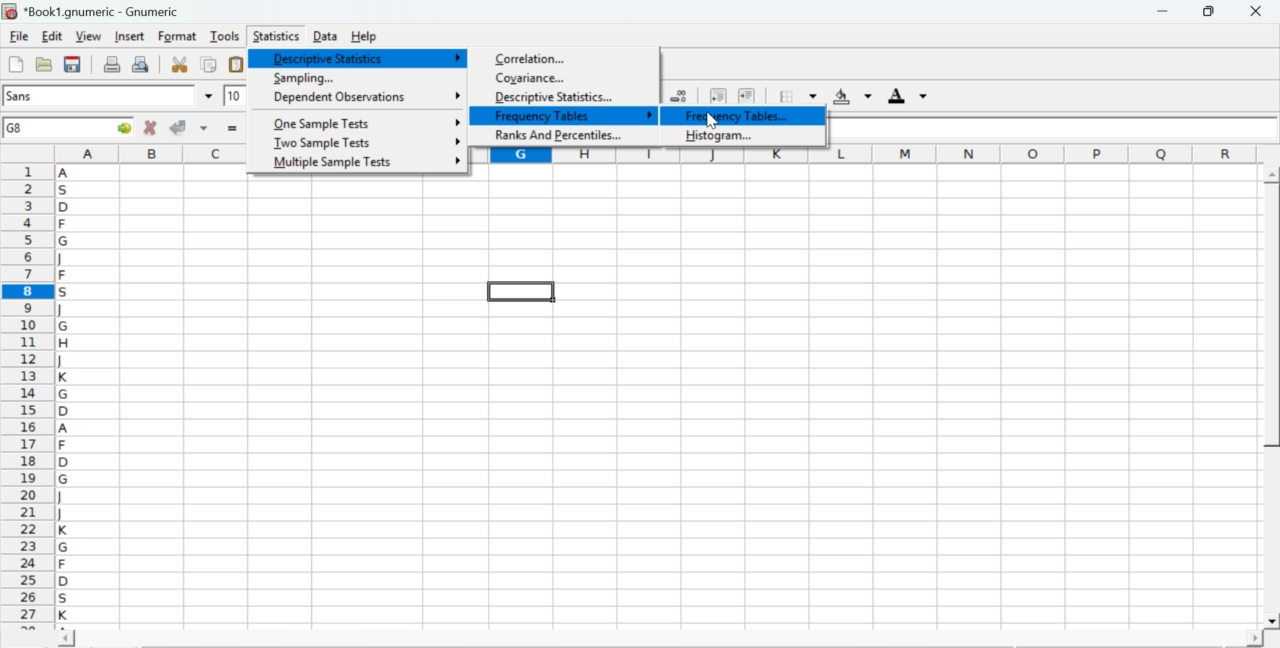  What do you see at coordinates (854, 96) in the screenshot?
I see `background` at bounding box center [854, 96].